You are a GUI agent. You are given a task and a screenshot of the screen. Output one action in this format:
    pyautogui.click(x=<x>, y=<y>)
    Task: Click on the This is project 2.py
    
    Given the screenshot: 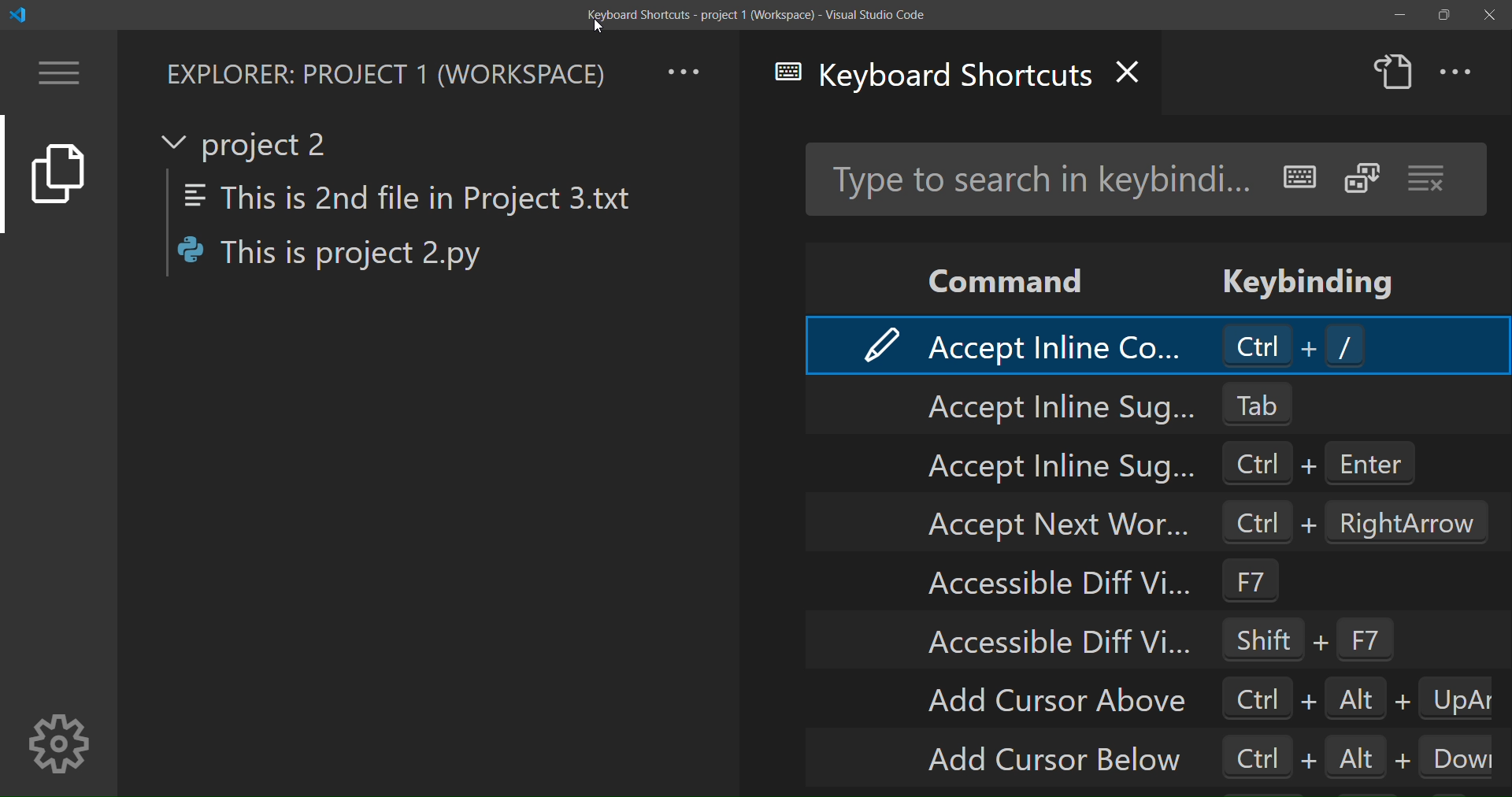 What is the action you would take?
    pyautogui.click(x=341, y=257)
    